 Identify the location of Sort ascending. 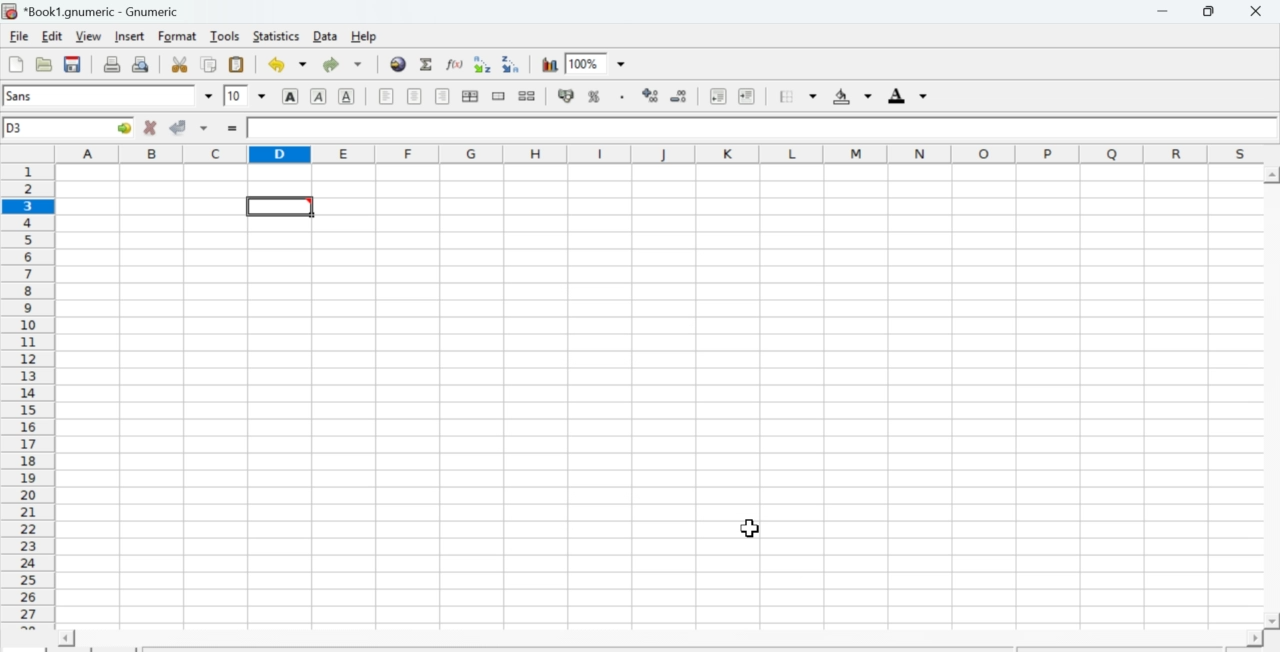
(482, 65).